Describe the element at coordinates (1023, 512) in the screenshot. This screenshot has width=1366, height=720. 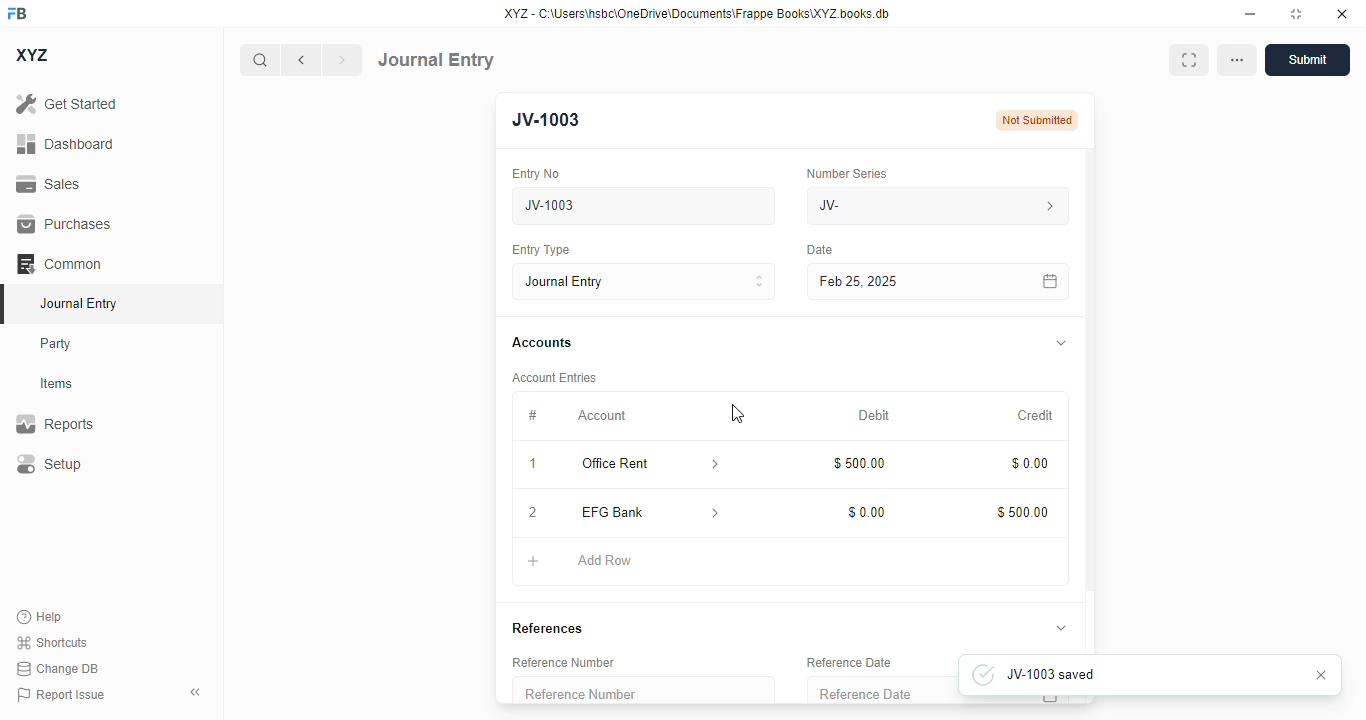
I see `$500.00` at that location.